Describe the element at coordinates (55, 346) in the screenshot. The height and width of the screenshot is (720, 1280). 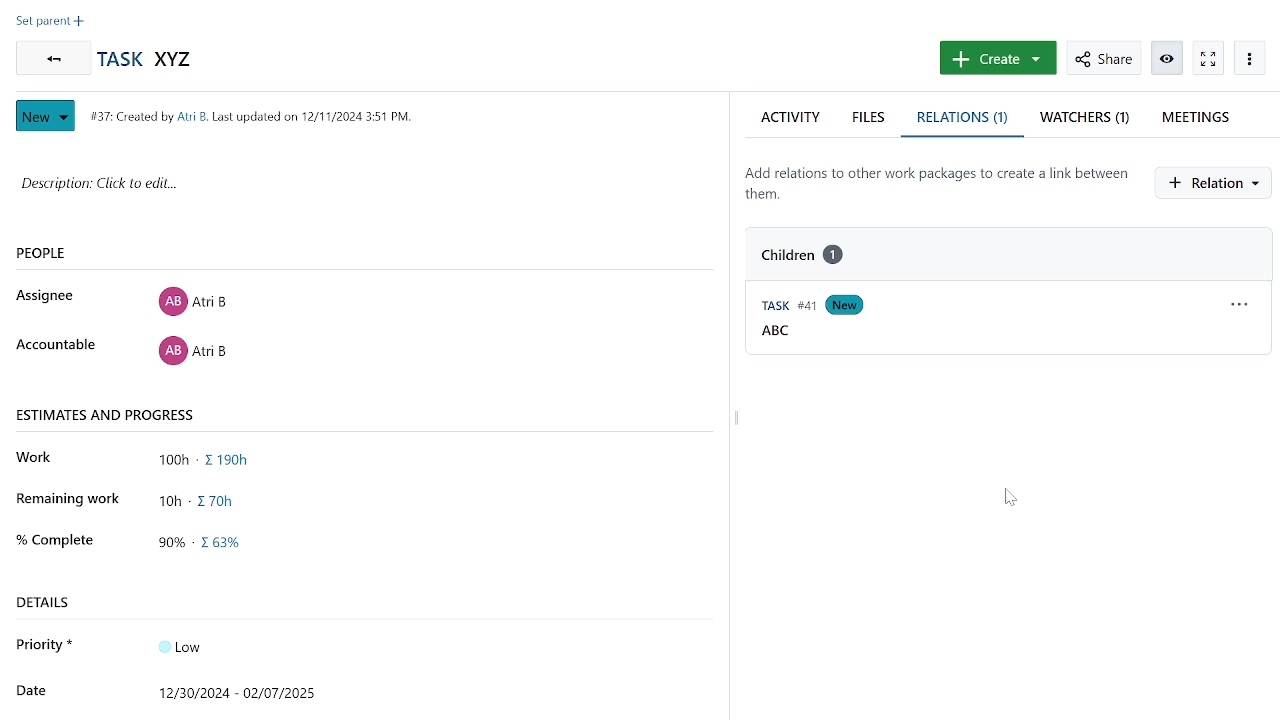
I see `accountable` at that location.